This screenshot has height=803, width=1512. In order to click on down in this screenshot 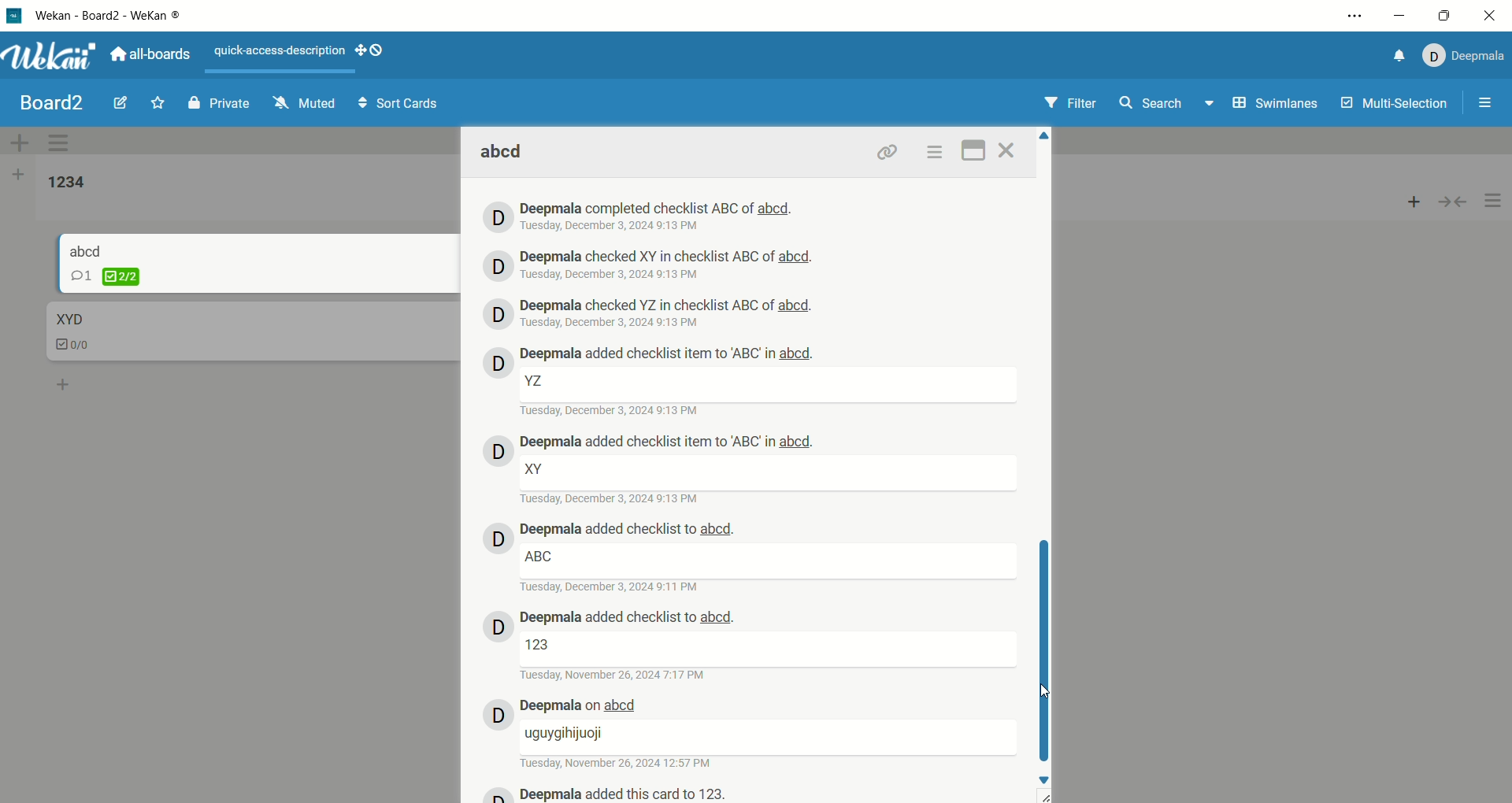, I will do `click(1047, 780)`.